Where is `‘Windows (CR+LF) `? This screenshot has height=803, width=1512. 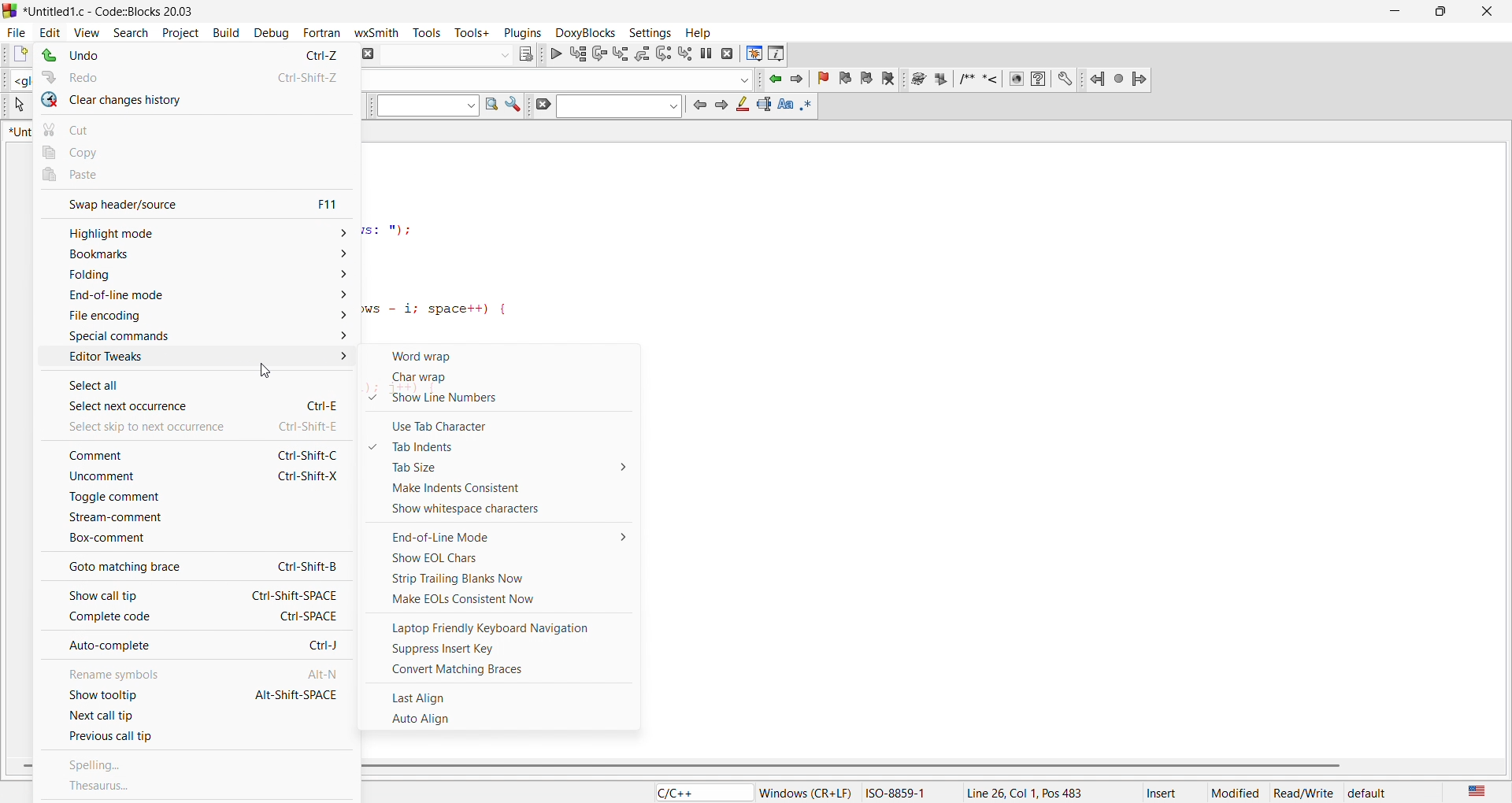 ‘Windows (CR+LF)  is located at coordinates (806, 791).